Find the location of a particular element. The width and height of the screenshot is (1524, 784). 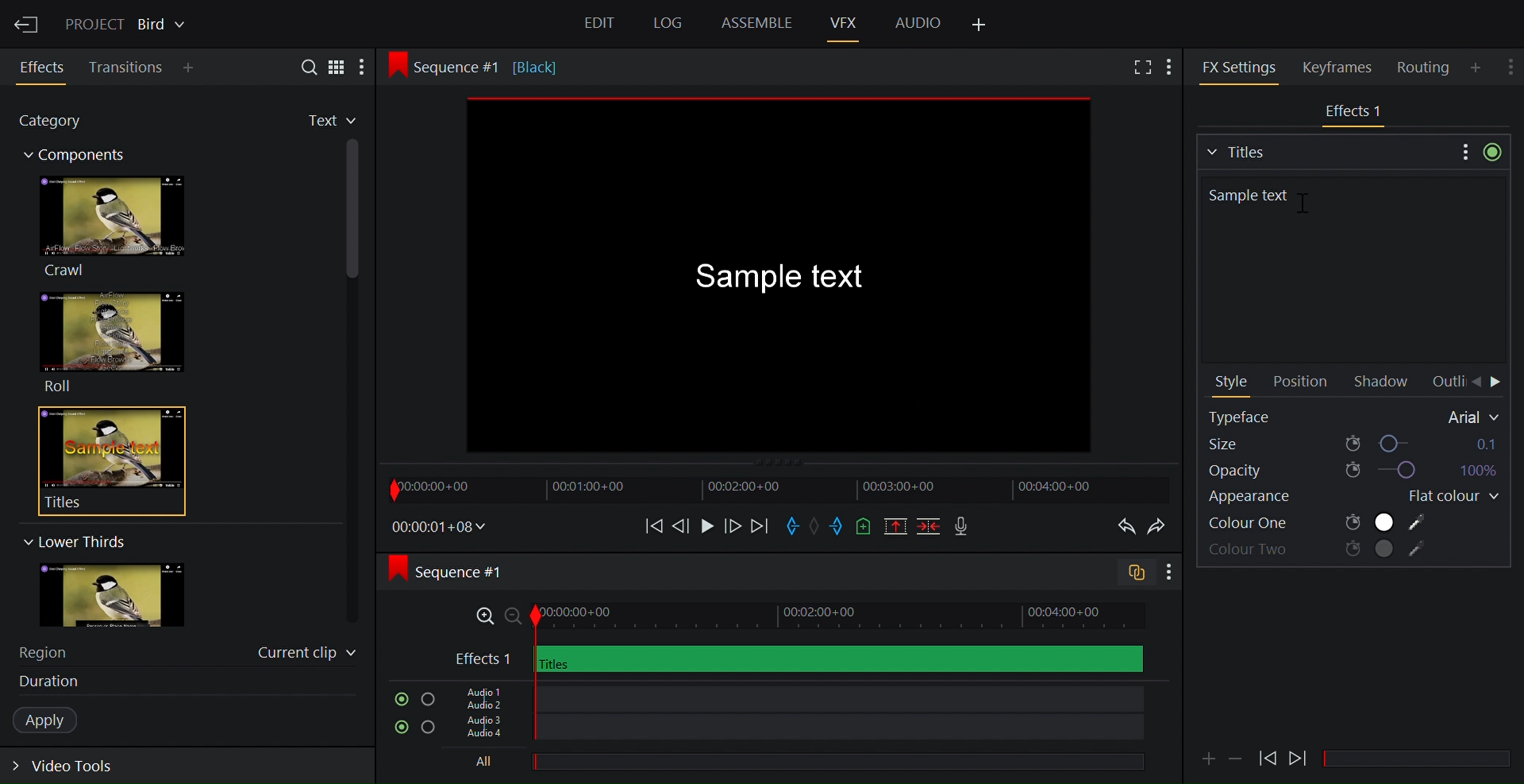

 is located at coordinates (54, 681).